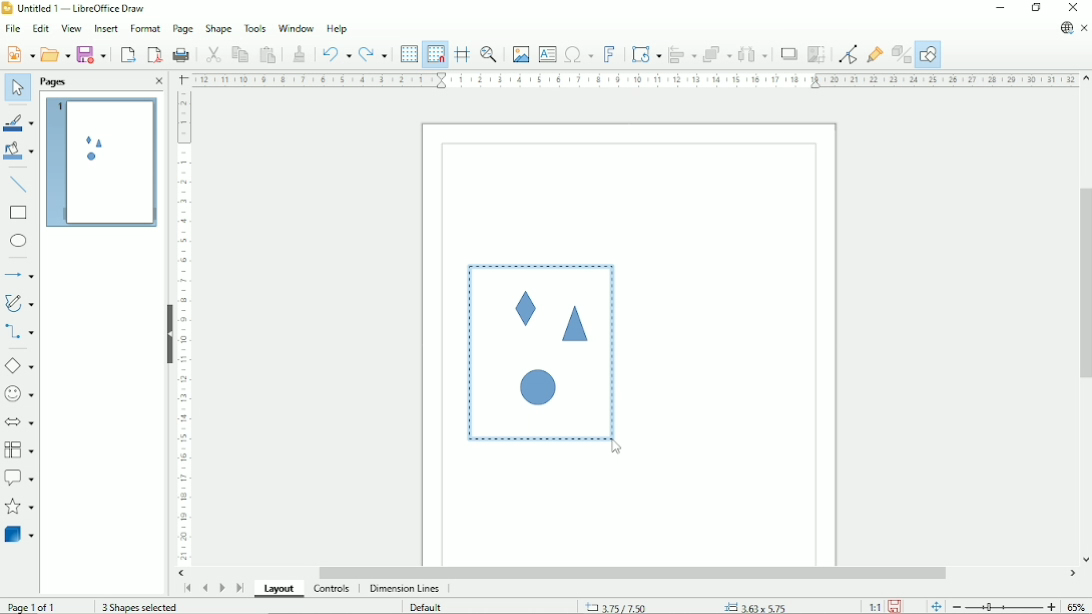 The height and width of the screenshot is (614, 1092). What do you see at coordinates (1085, 560) in the screenshot?
I see `Vertical scroll button` at bounding box center [1085, 560].